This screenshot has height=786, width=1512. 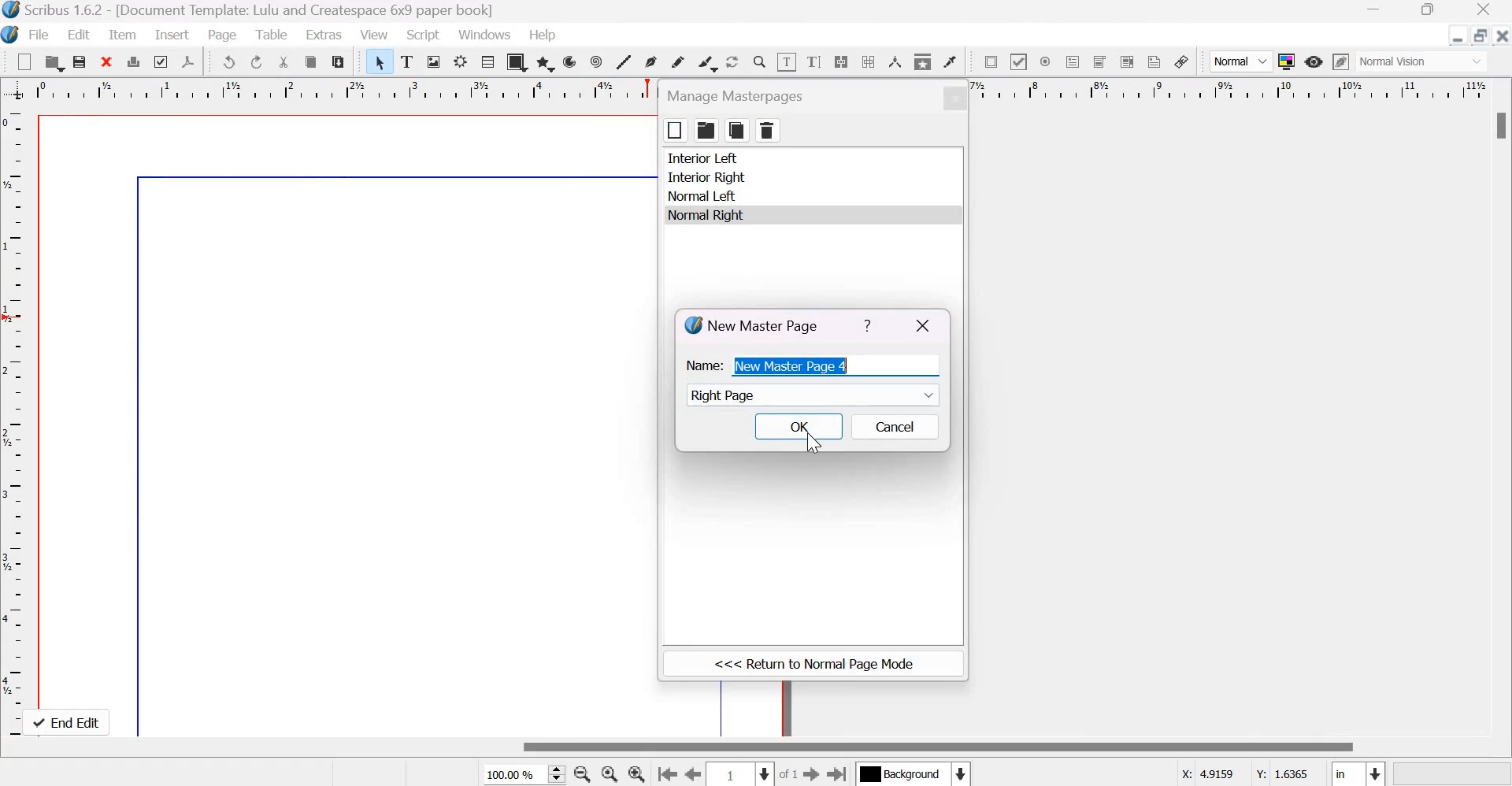 What do you see at coordinates (706, 365) in the screenshot?
I see `Name:` at bounding box center [706, 365].